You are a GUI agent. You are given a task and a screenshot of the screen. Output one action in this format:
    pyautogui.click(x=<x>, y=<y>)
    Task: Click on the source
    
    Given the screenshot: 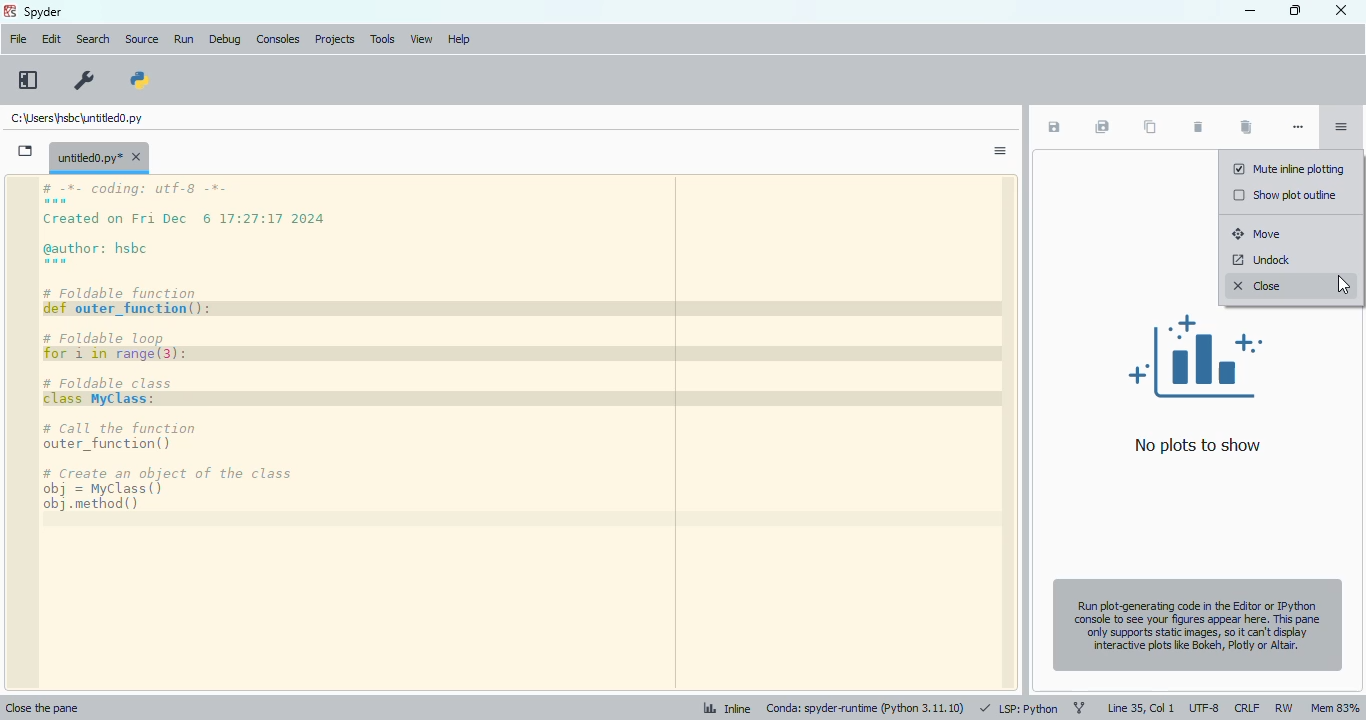 What is the action you would take?
    pyautogui.click(x=142, y=40)
    